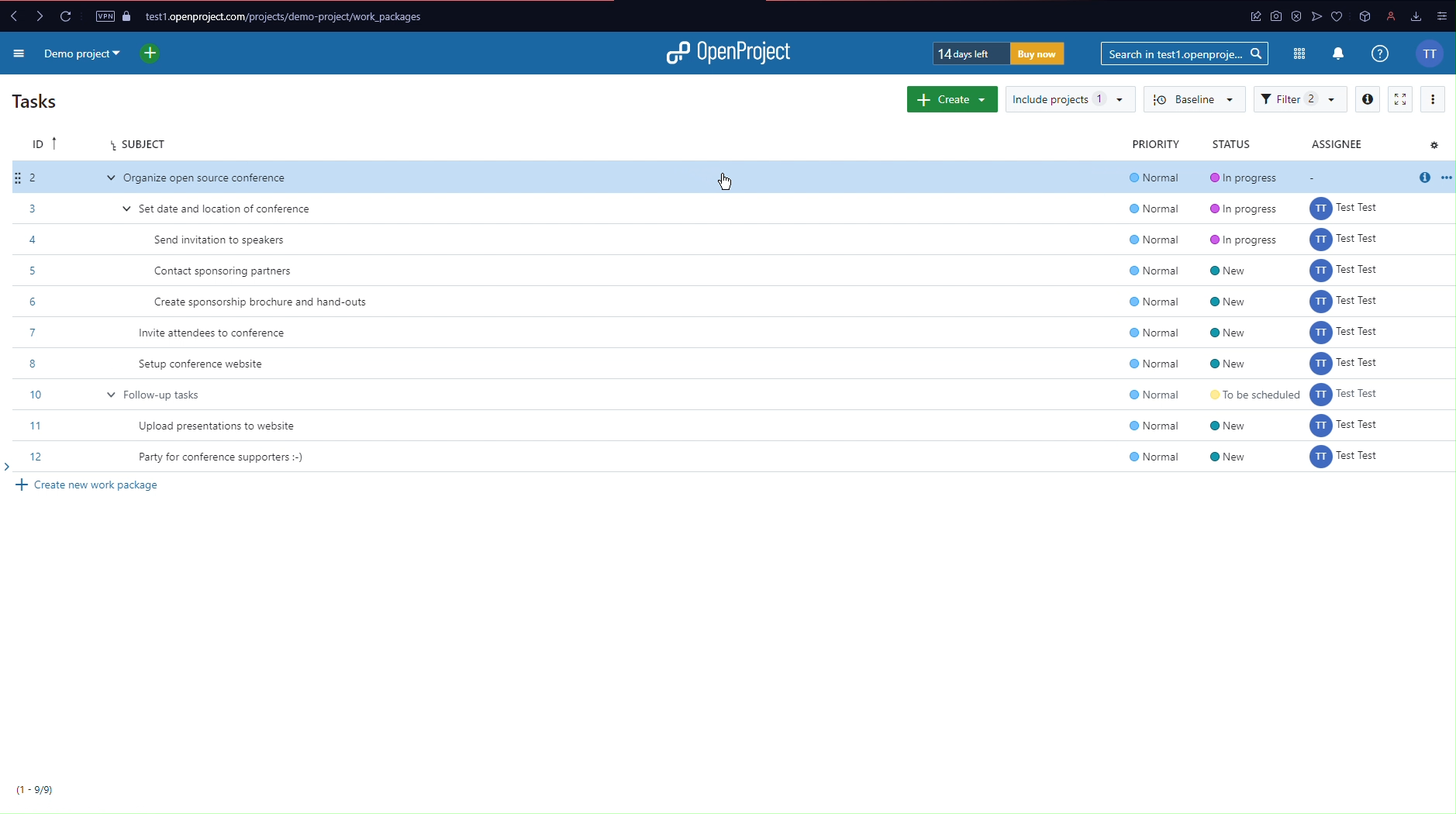  Describe the element at coordinates (30, 17) in the screenshot. I see `Forward and back` at that location.